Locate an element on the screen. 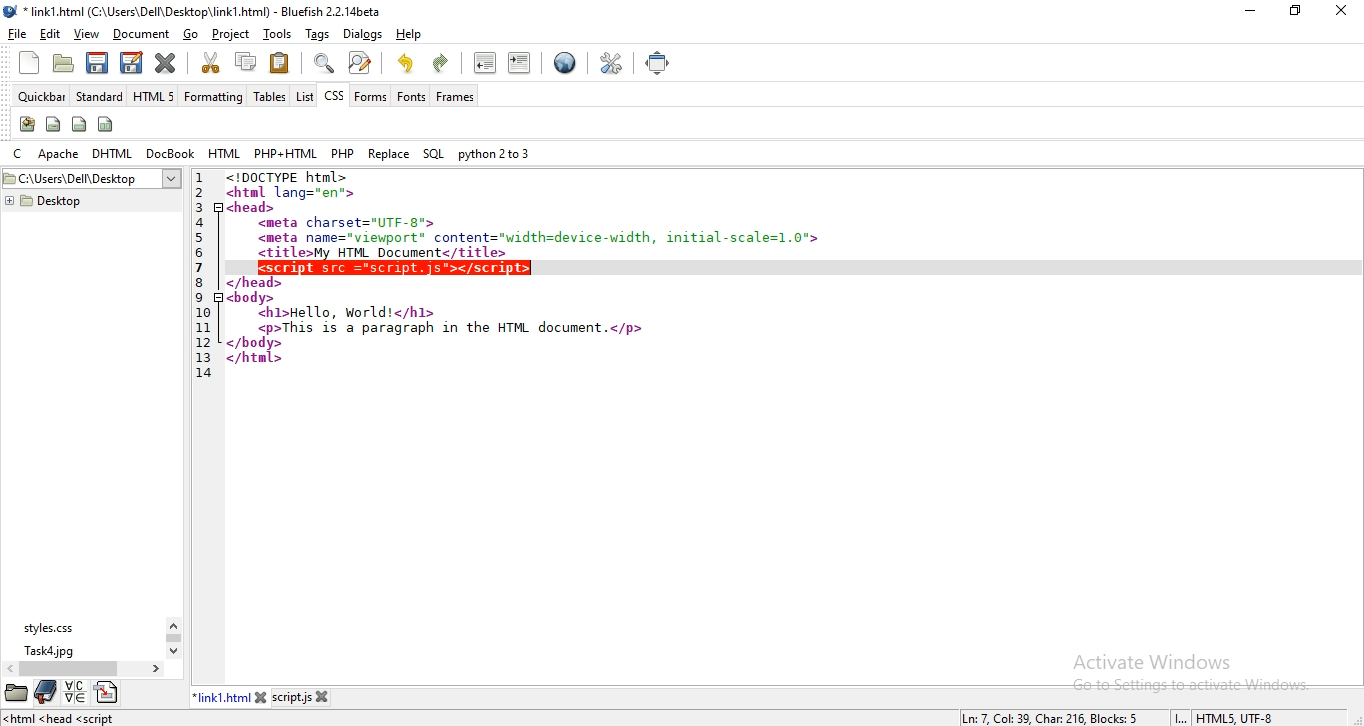 This screenshot has width=1364, height=726. minimize is located at coordinates (1249, 9).